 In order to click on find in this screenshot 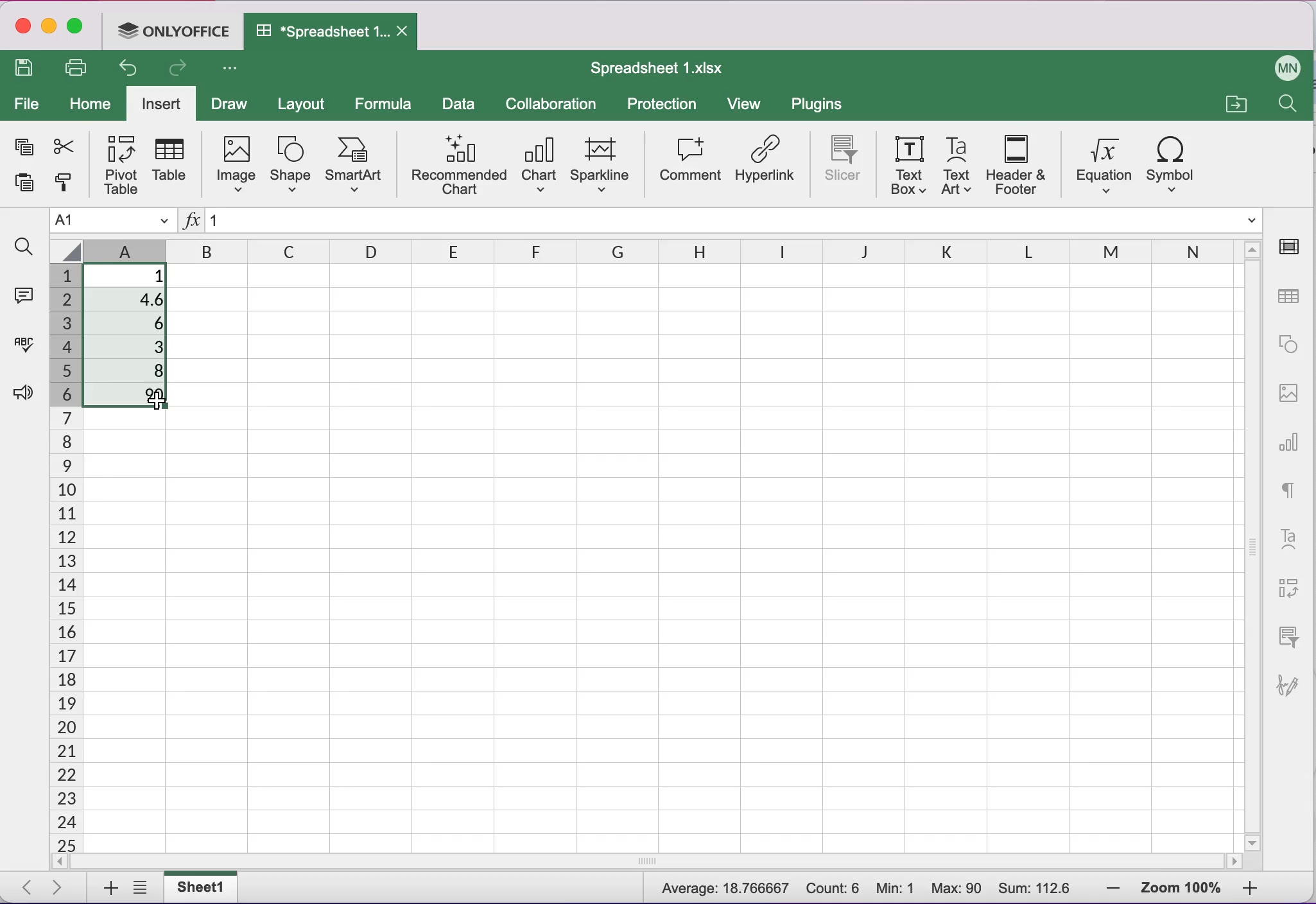, I will do `click(1282, 104)`.